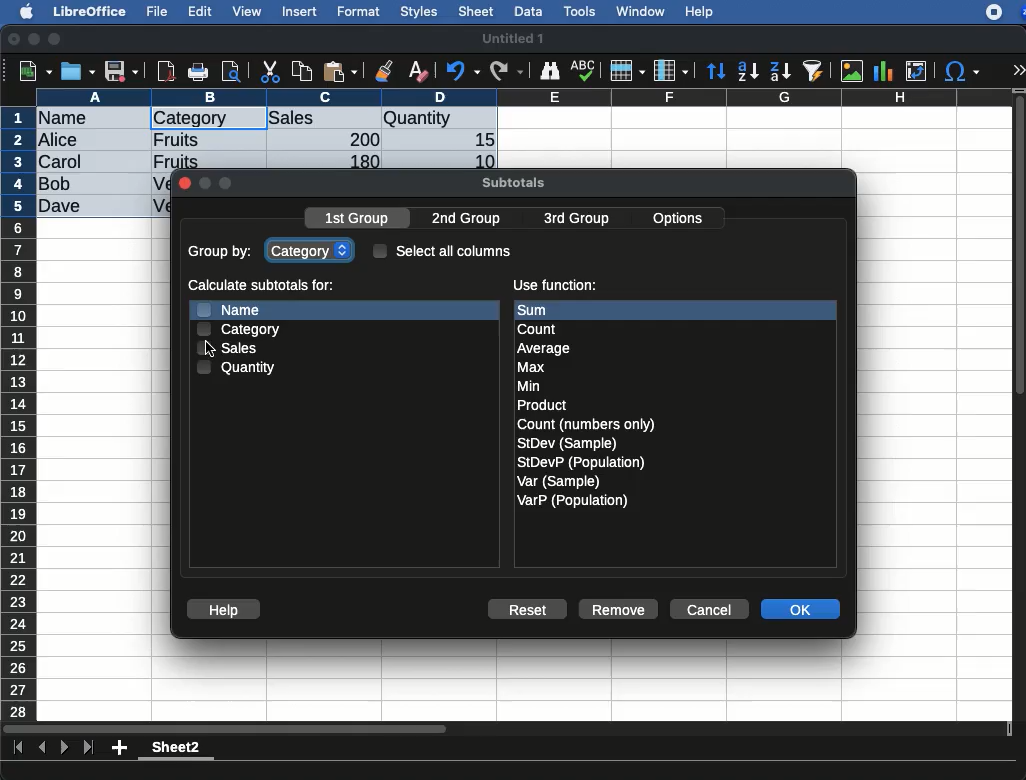  What do you see at coordinates (814, 70) in the screenshot?
I see `autofilter` at bounding box center [814, 70].